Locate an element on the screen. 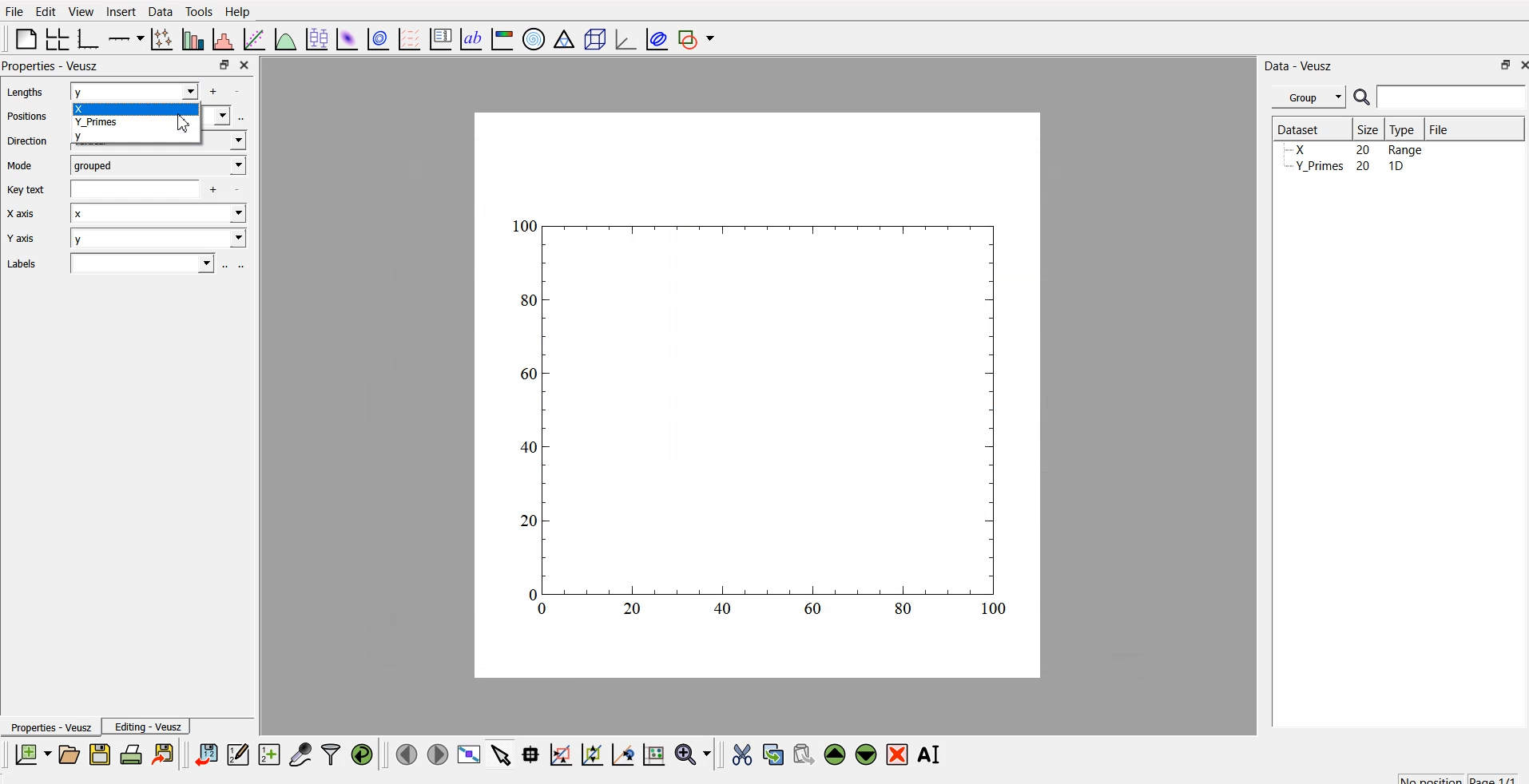 The height and width of the screenshot is (784, 1529). maximize is located at coordinates (220, 65).